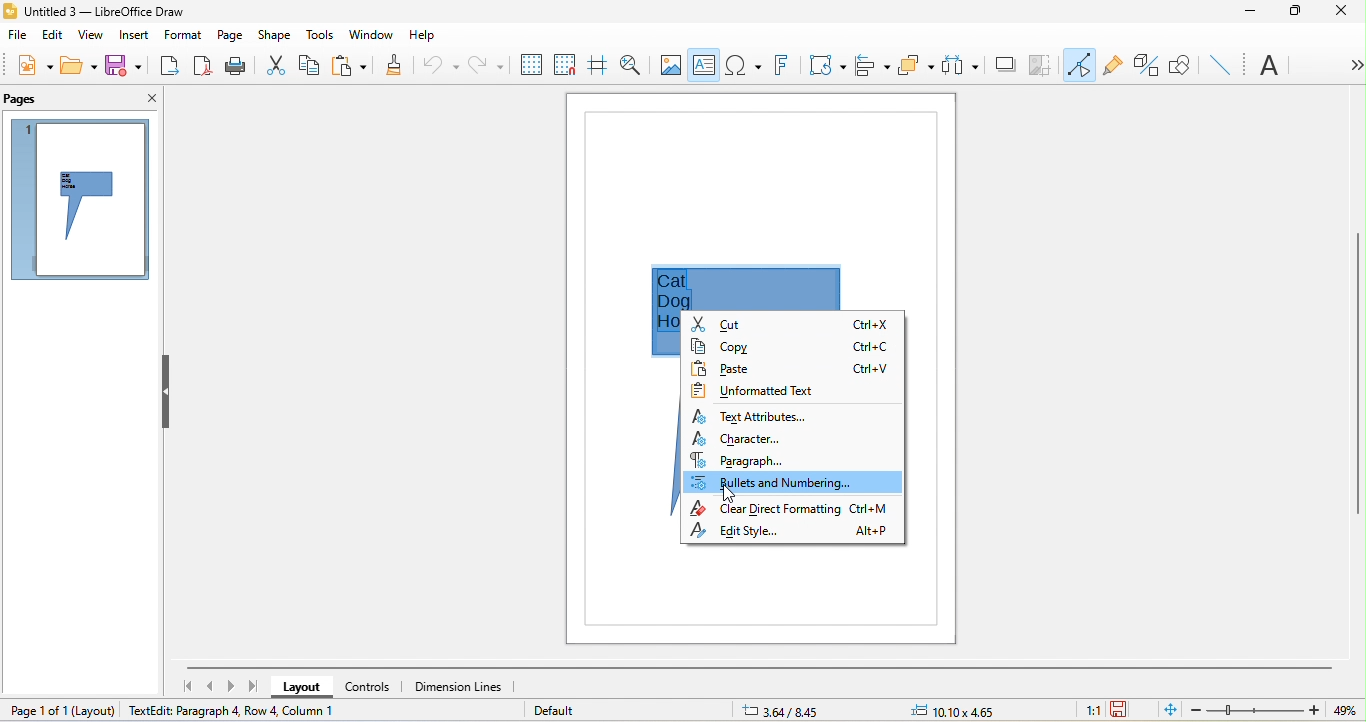 Image resolution: width=1366 pixels, height=722 pixels. Describe the element at coordinates (313, 64) in the screenshot. I see `copy` at that location.